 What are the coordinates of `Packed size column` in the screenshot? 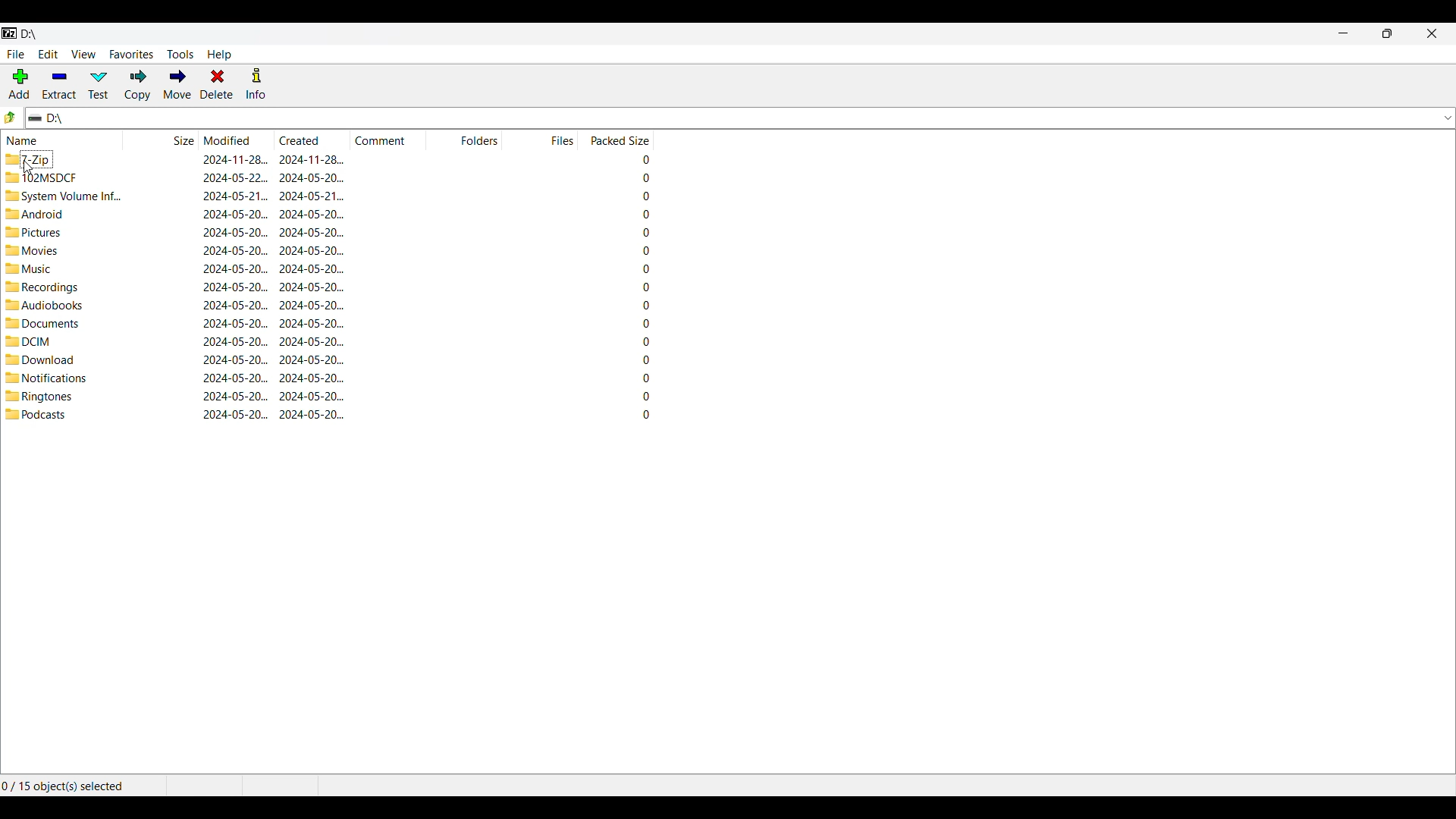 It's located at (615, 140).